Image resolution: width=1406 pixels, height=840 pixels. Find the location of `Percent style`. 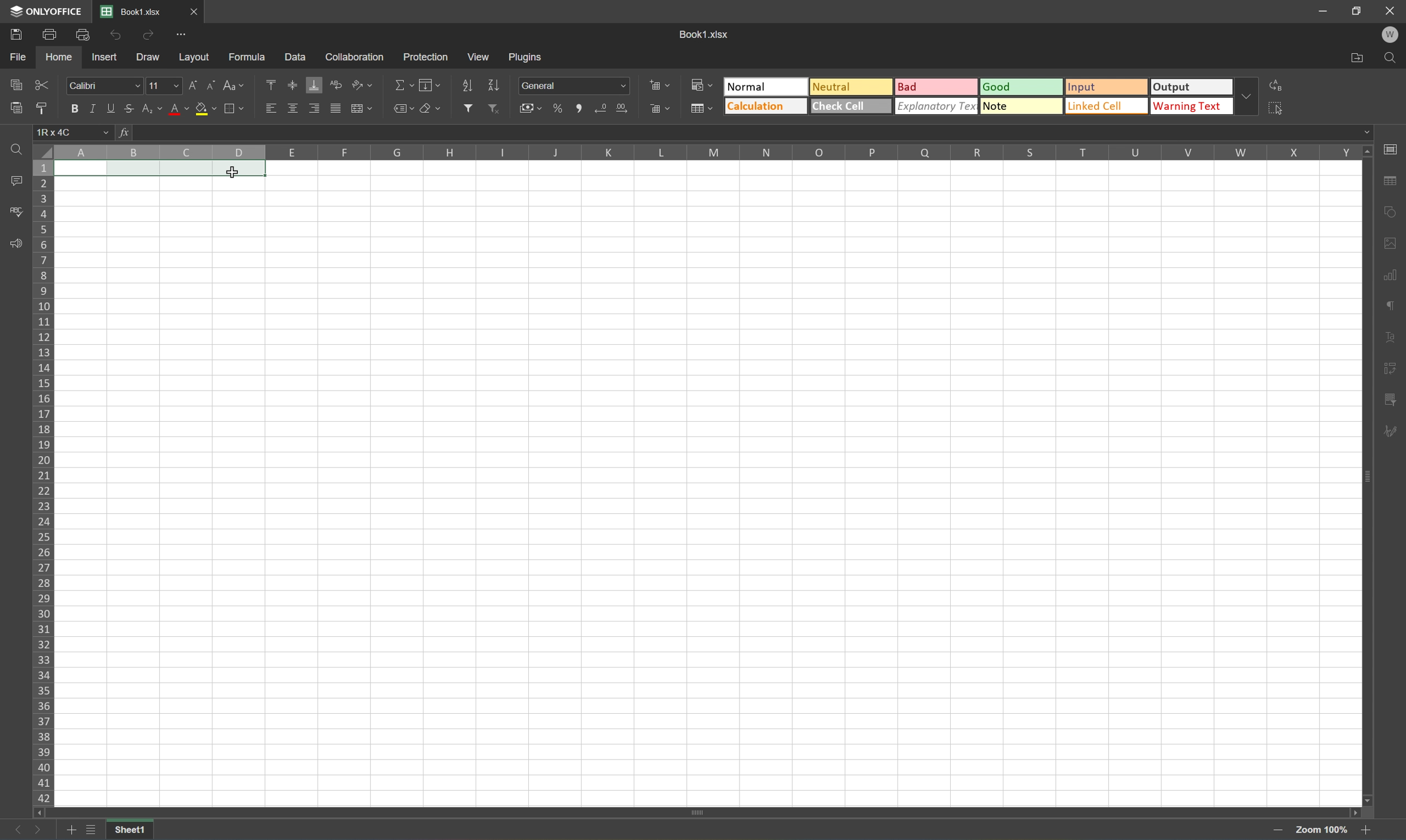

Percent style is located at coordinates (559, 109).